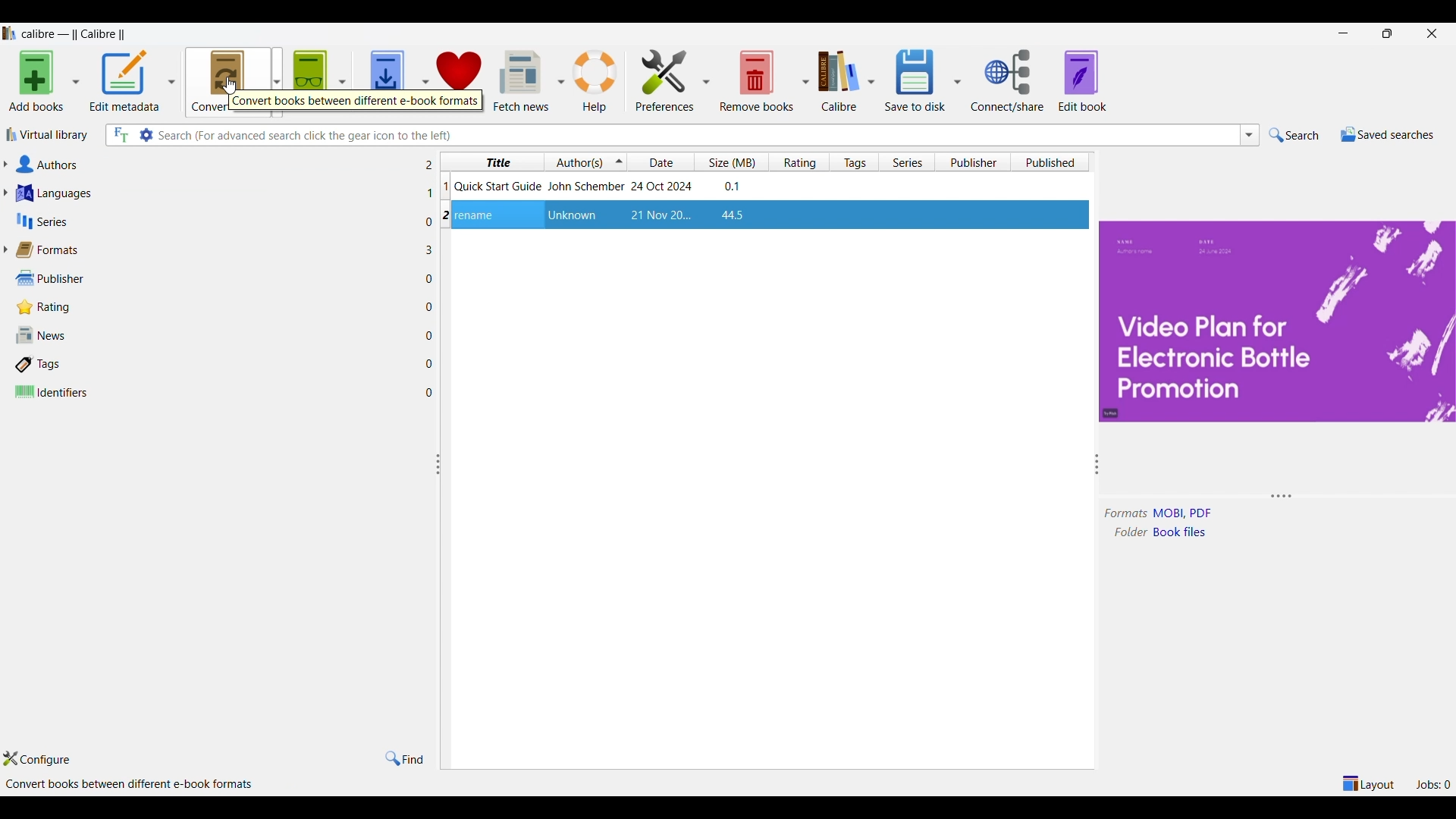 The image size is (1456, 819). What do you see at coordinates (1194, 513) in the screenshot?
I see `MOBI, PDF` at bounding box center [1194, 513].